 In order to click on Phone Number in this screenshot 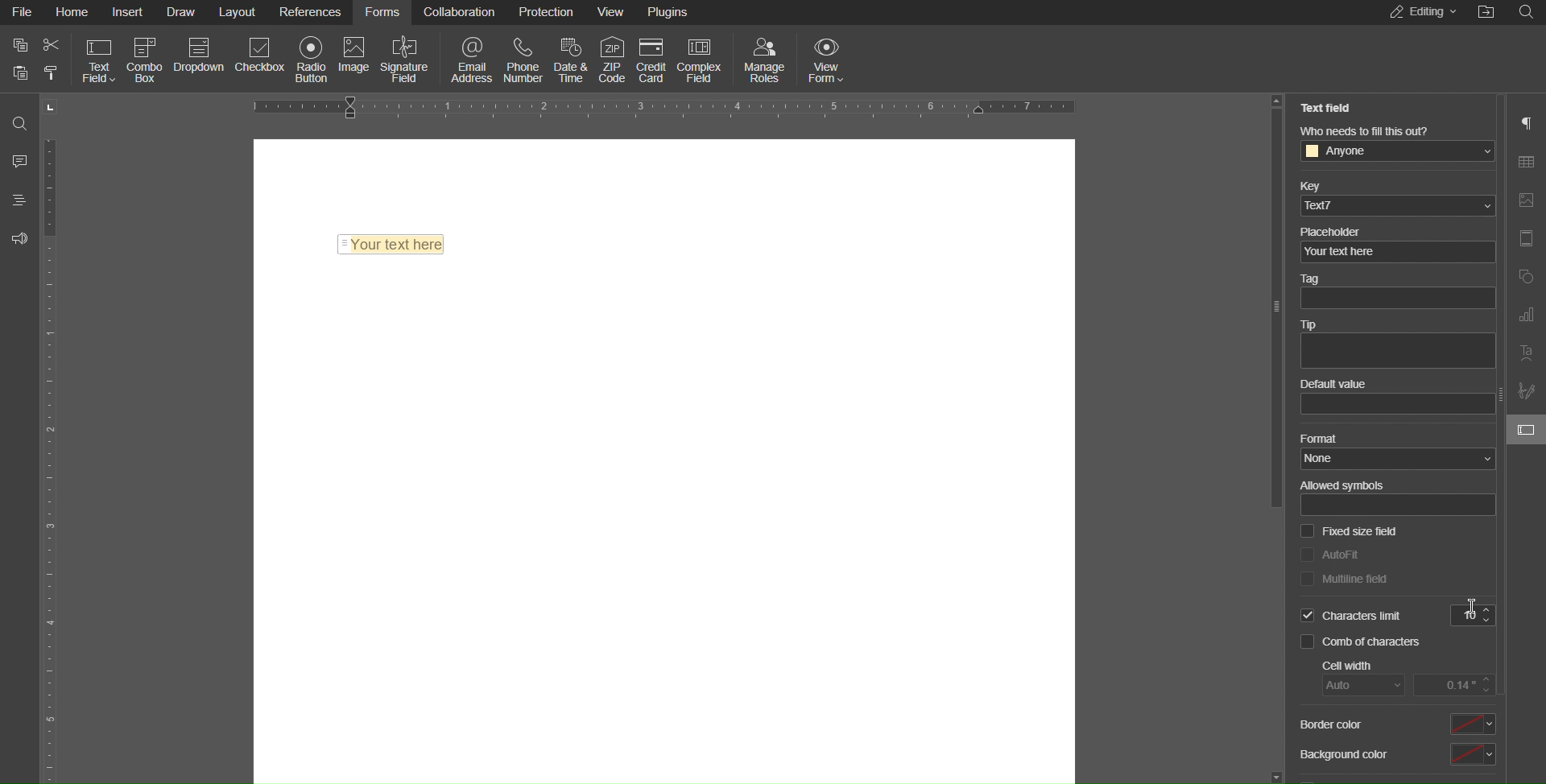, I will do `click(527, 59)`.